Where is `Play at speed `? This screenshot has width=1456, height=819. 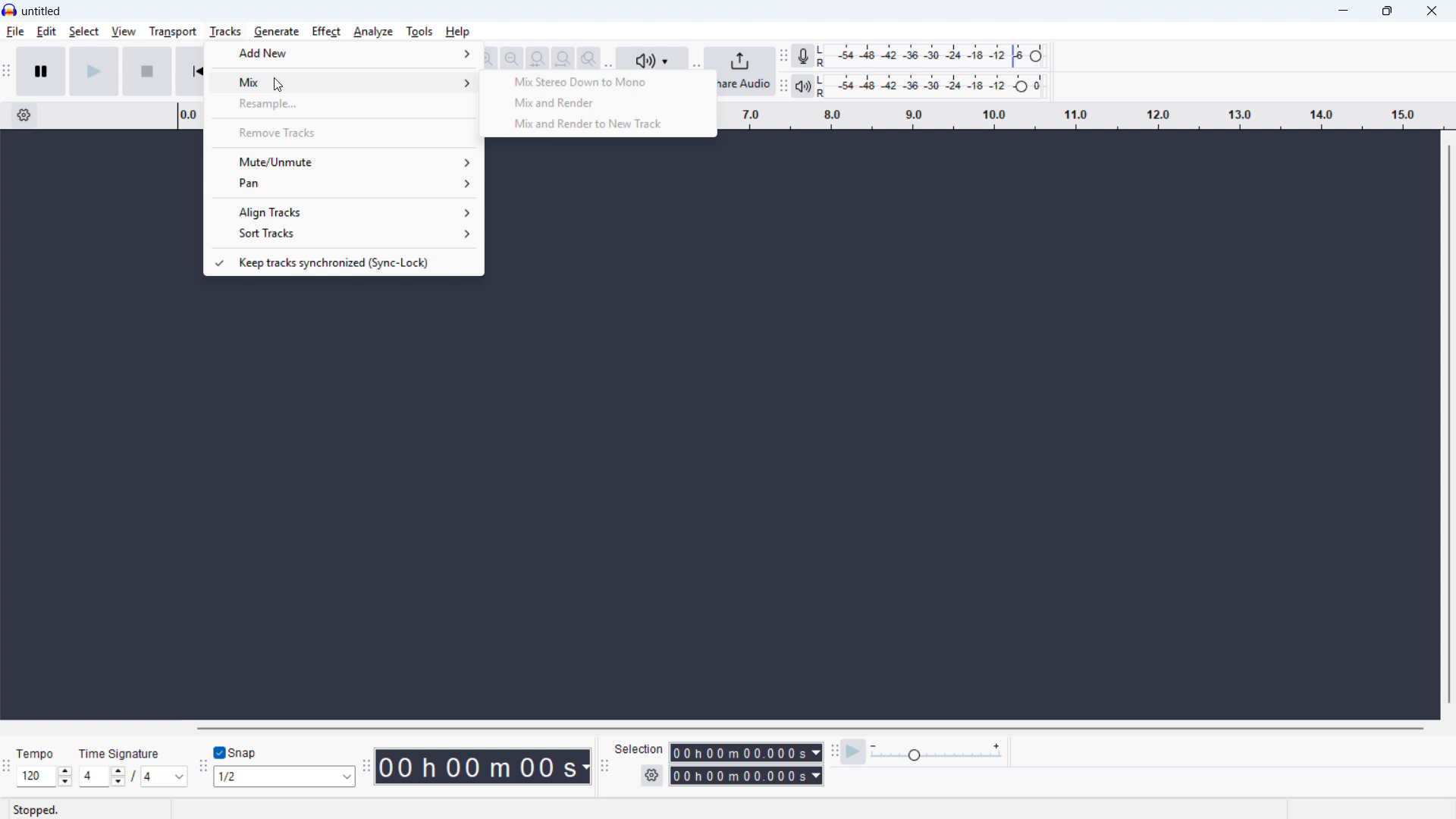
Play at speed  is located at coordinates (853, 753).